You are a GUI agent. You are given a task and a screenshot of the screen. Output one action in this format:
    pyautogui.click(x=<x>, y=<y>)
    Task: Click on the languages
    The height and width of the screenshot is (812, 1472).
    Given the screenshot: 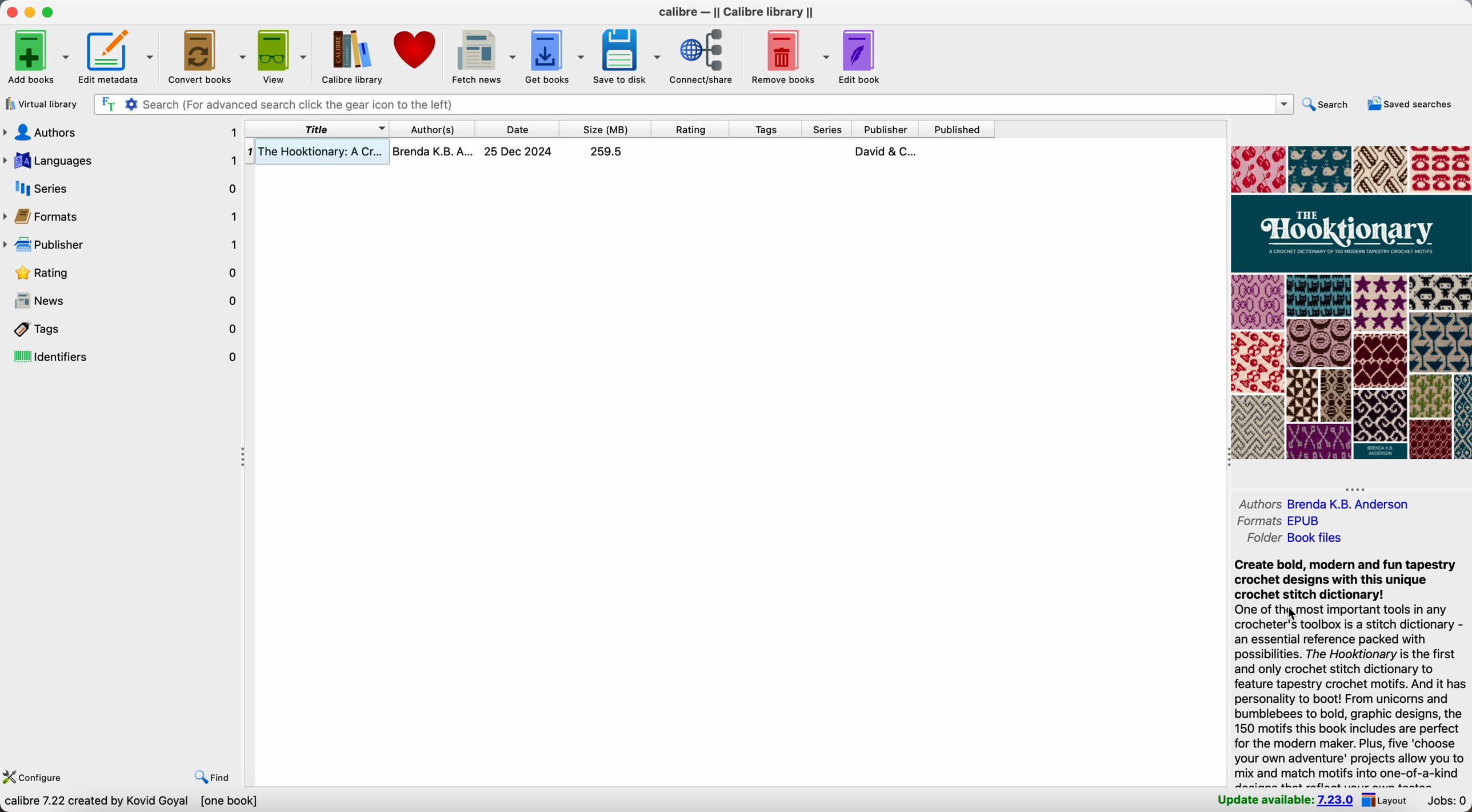 What is the action you would take?
    pyautogui.click(x=122, y=158)
    